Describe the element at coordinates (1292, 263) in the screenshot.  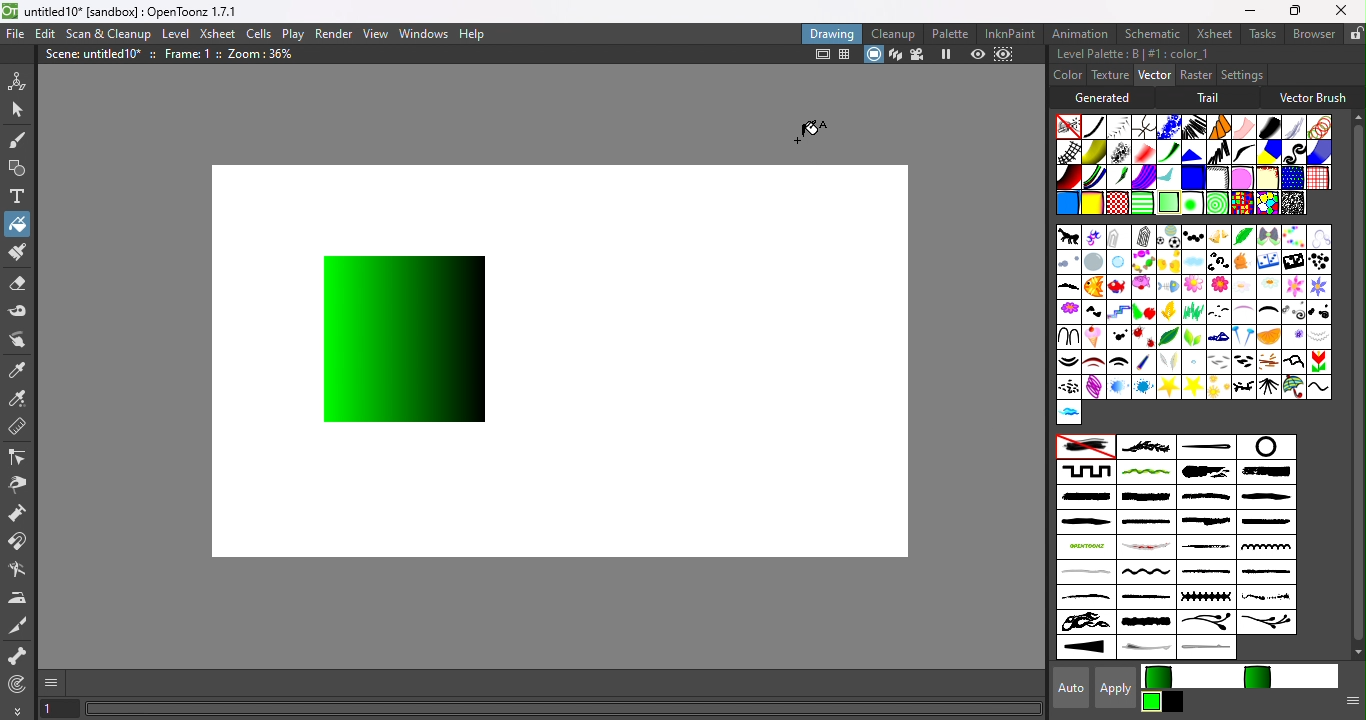
I see `Domino` at that location.